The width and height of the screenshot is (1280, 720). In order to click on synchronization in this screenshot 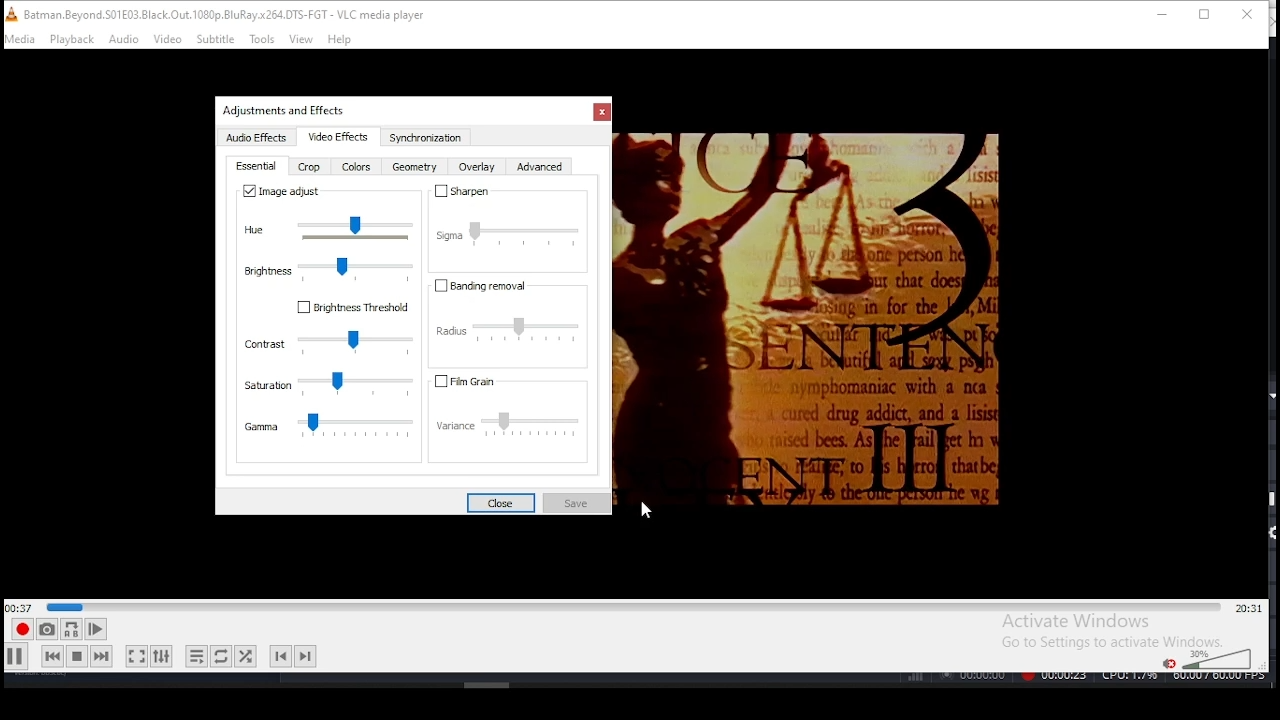, I will do `click(424, 138)`.